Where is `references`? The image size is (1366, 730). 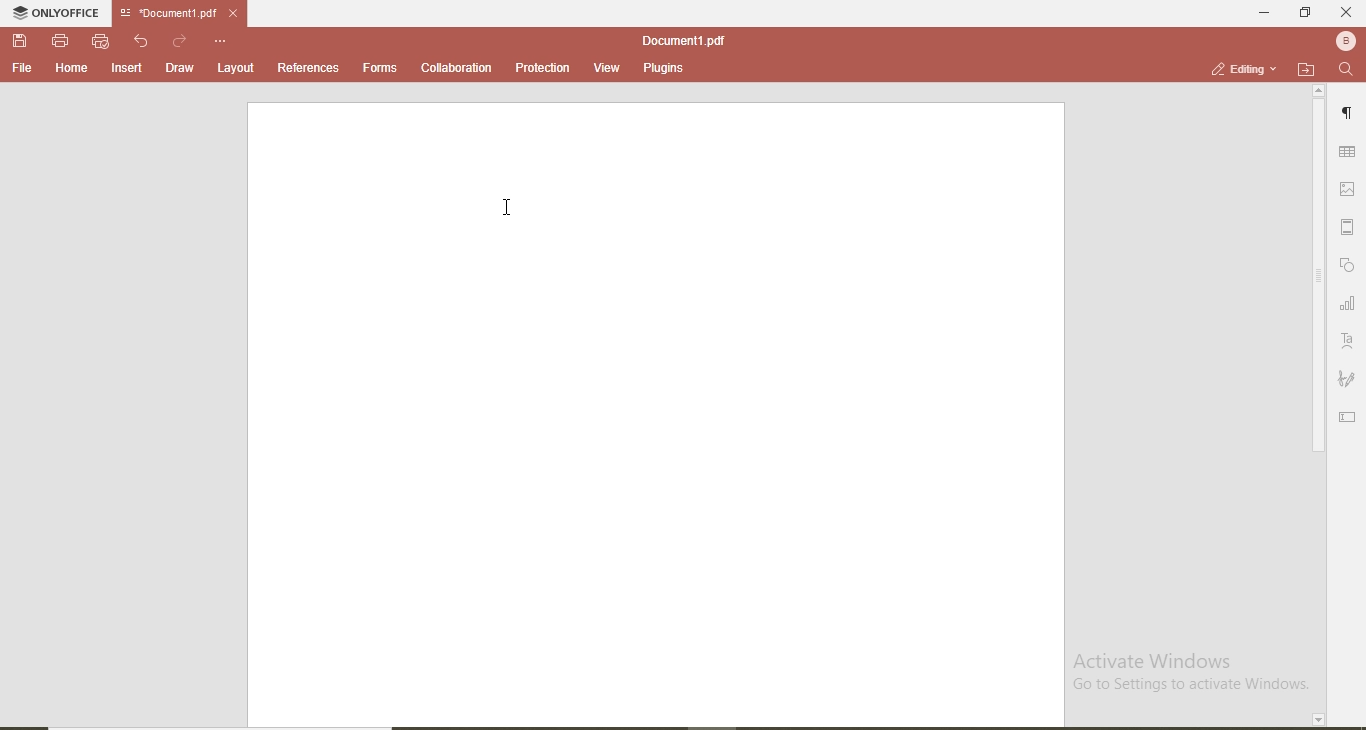 references is located at coordinates (309, 69).